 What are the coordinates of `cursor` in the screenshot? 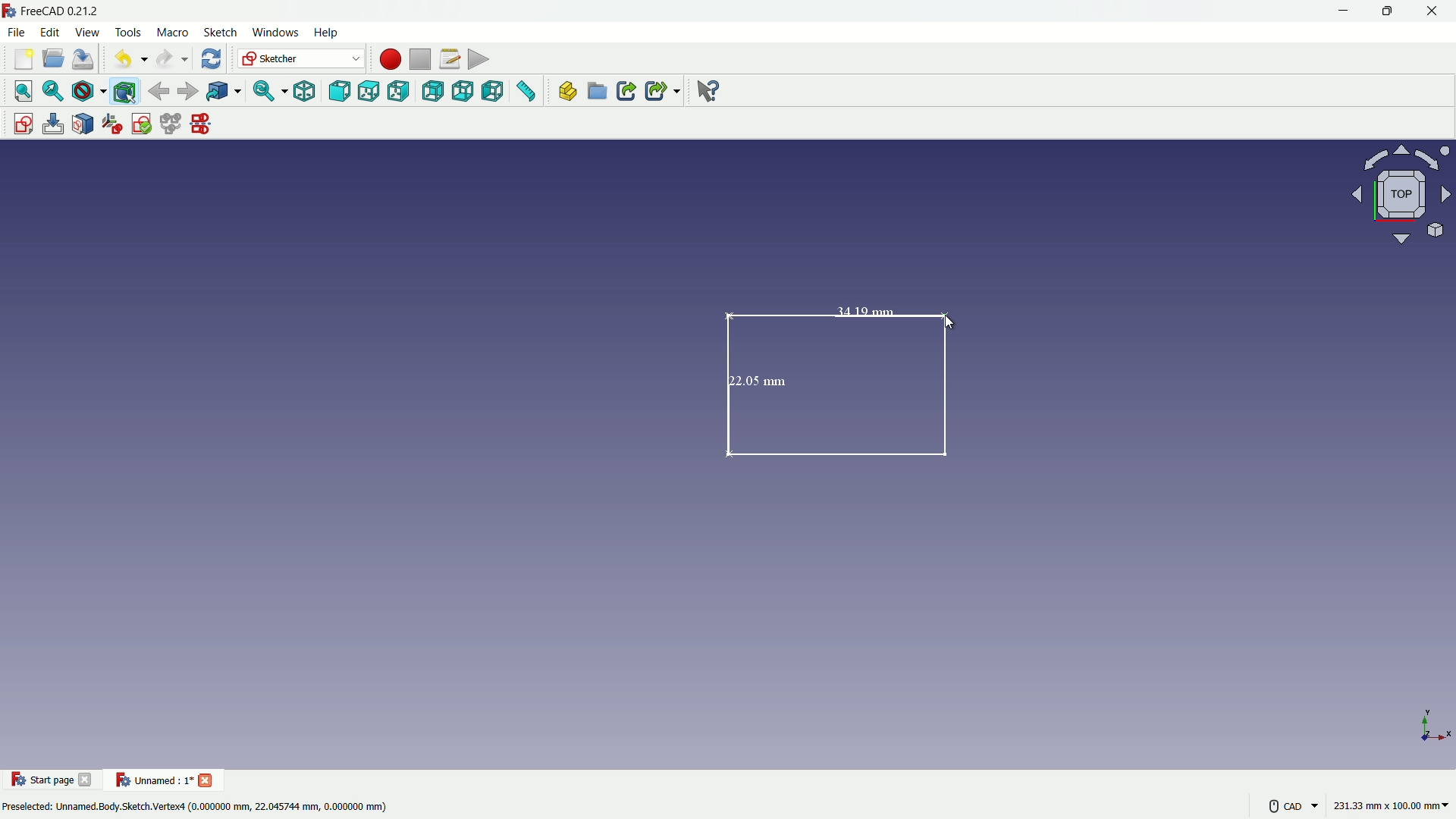 It's located at (941, 322).